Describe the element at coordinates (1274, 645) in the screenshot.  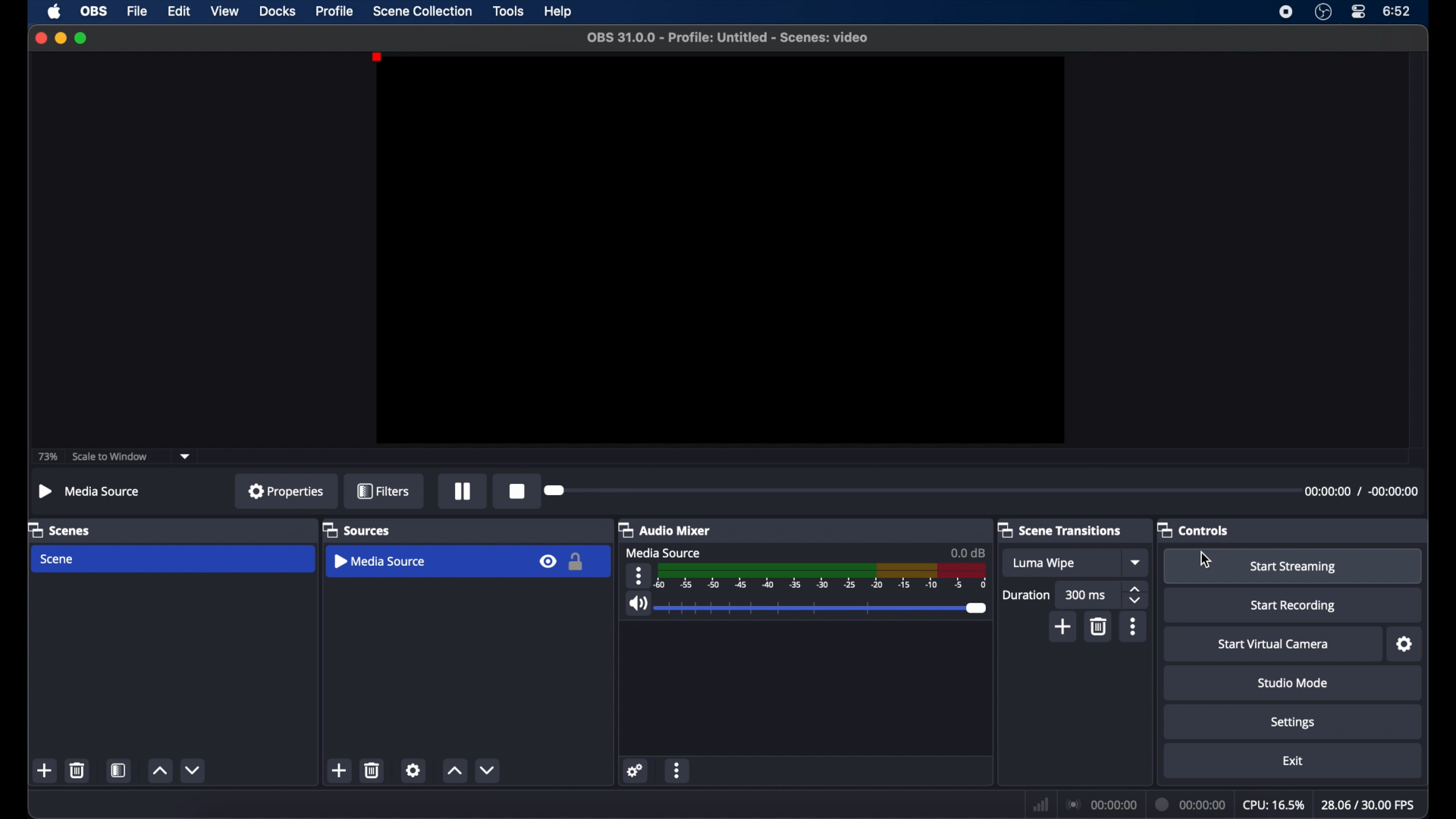
I see `start virtual camera` at that location.